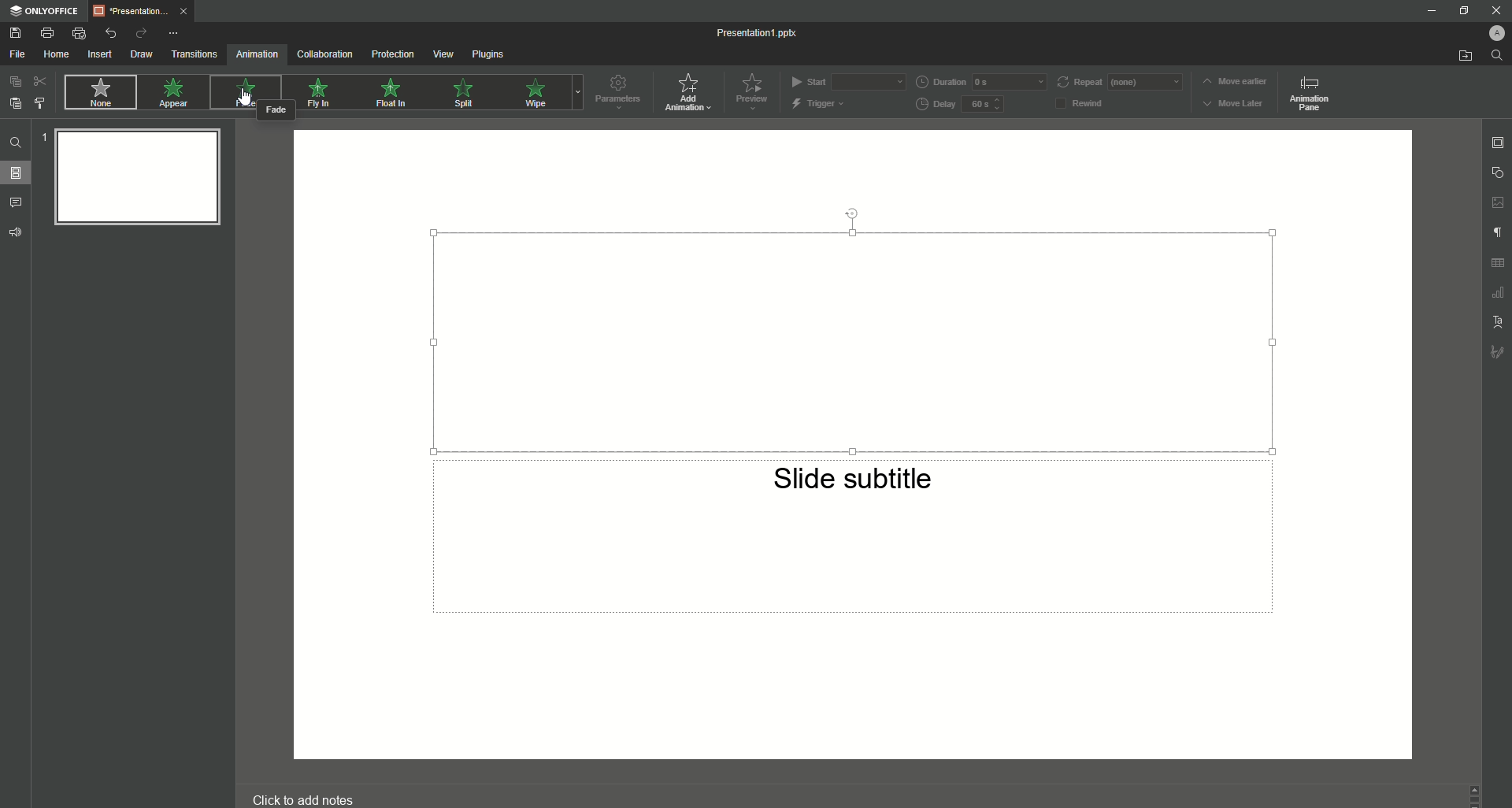 The image size is (1512, 808). I want to click on Find, so click(1497, 56).